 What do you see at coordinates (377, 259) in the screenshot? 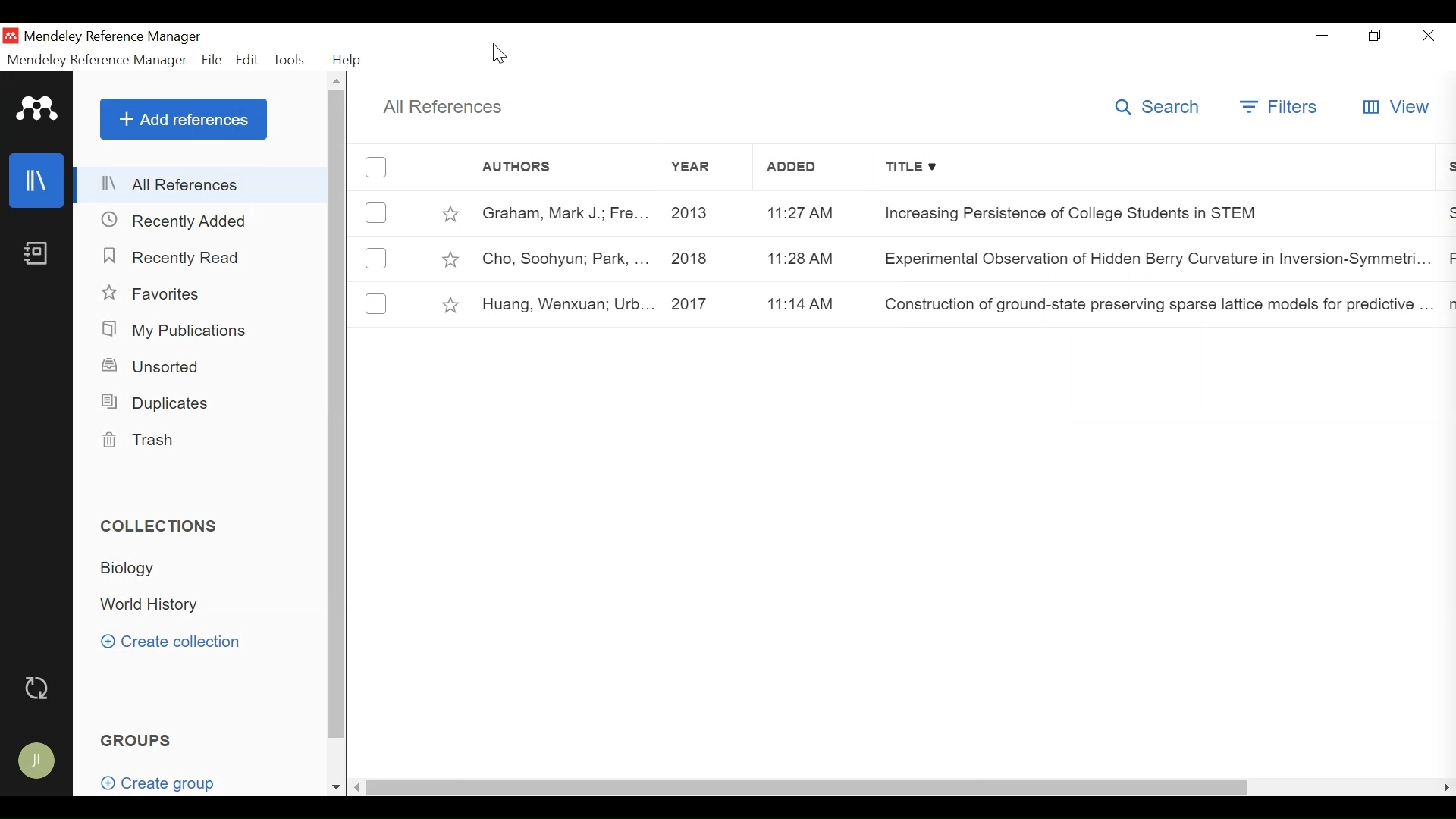
I see `checkbox` at bounding box center [377, 259].